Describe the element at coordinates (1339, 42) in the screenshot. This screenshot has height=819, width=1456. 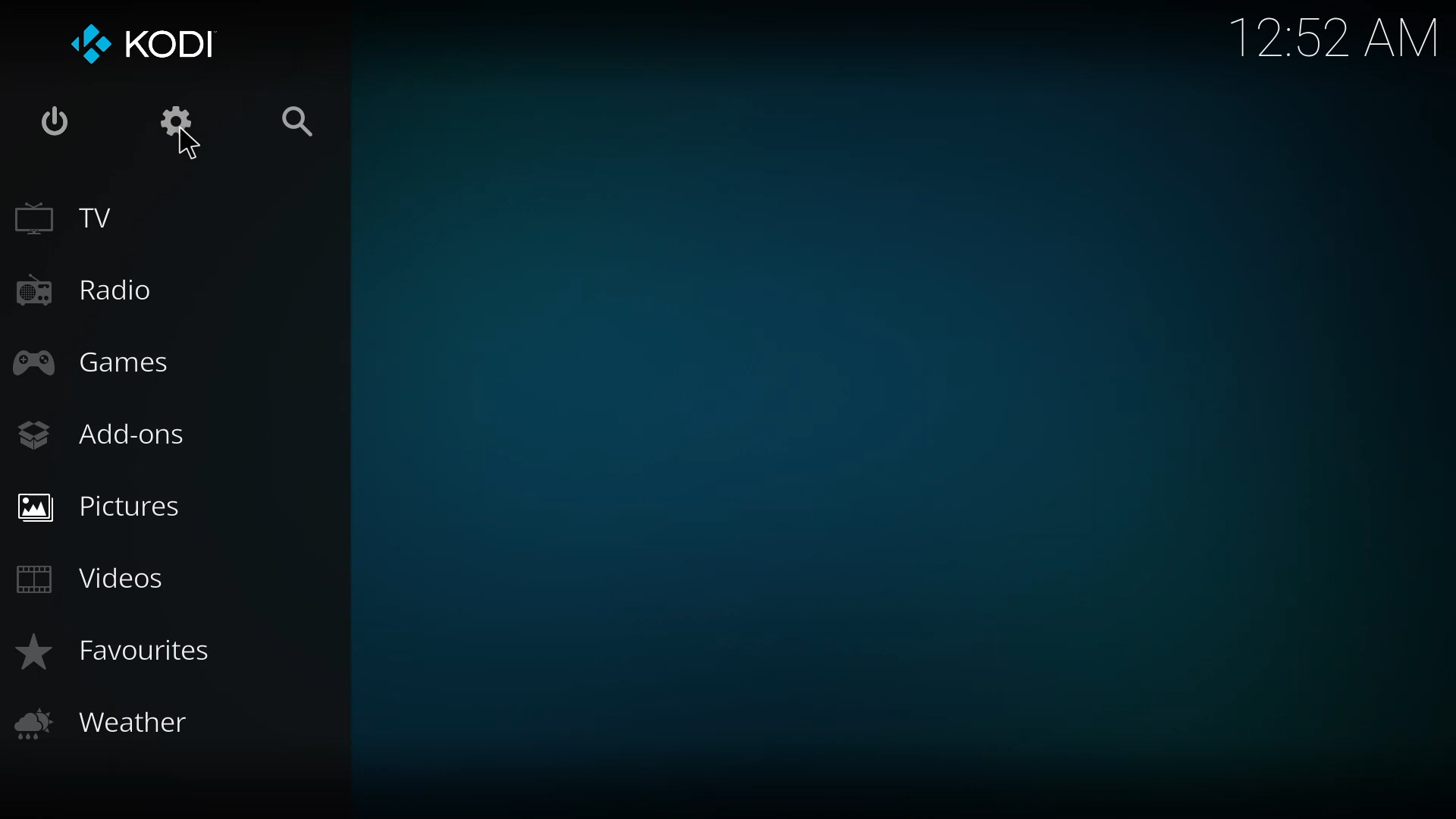
I see `12:52 AM` at that location.